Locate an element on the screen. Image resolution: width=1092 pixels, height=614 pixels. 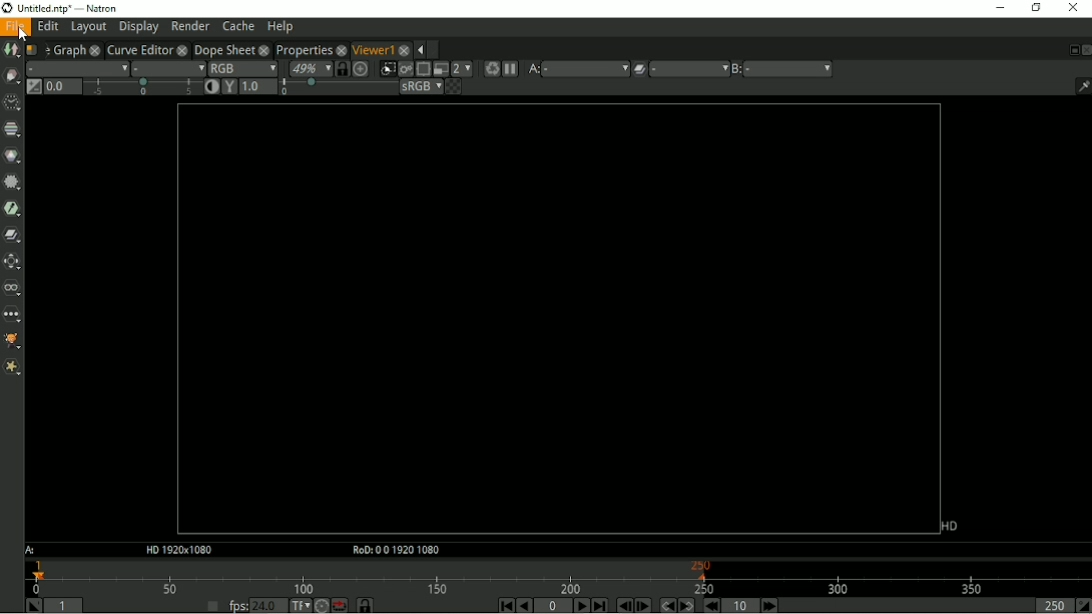
close is located at coordinates (182, 49).